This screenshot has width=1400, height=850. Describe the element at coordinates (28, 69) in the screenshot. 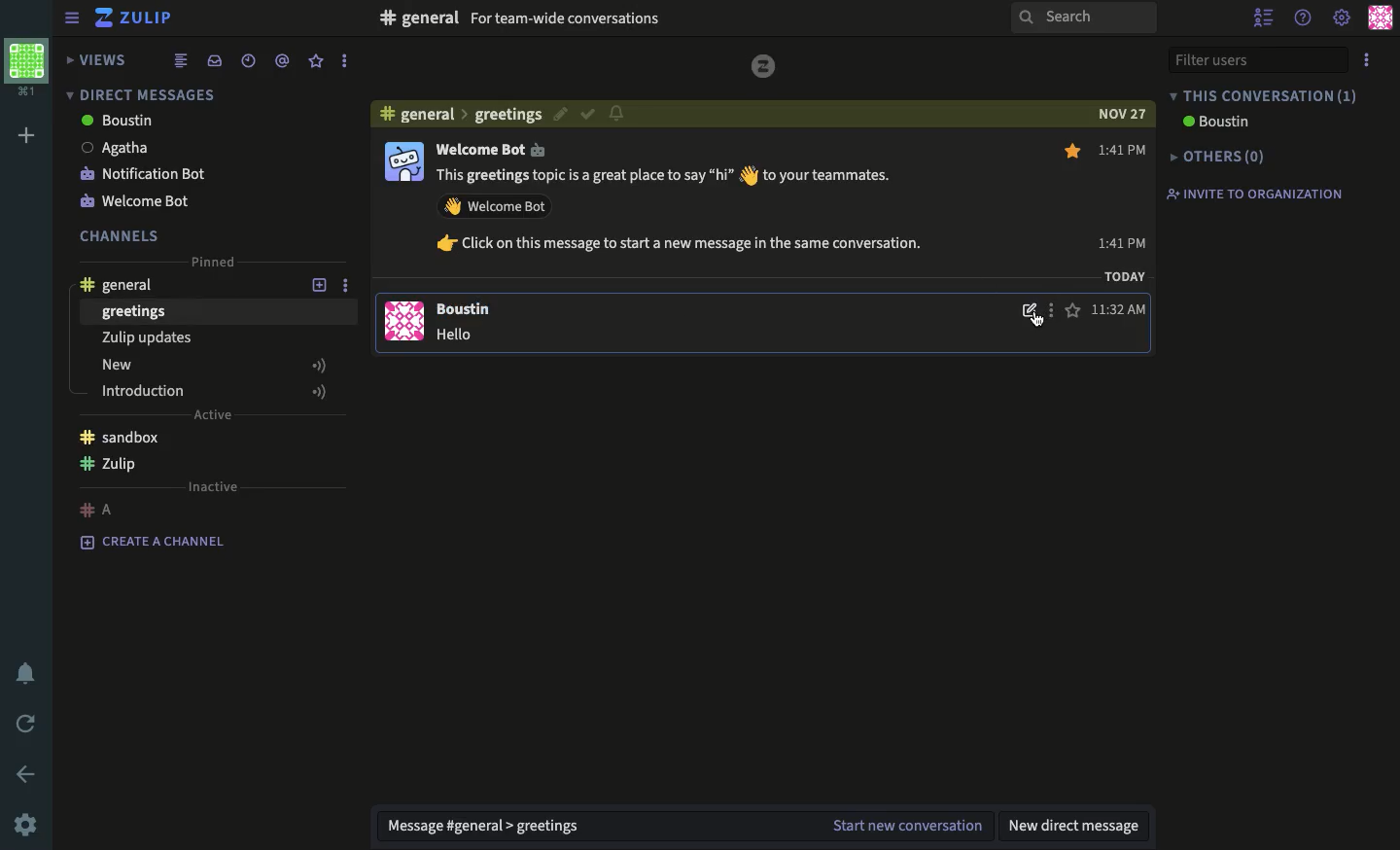

I see `workspace profile` at that location.